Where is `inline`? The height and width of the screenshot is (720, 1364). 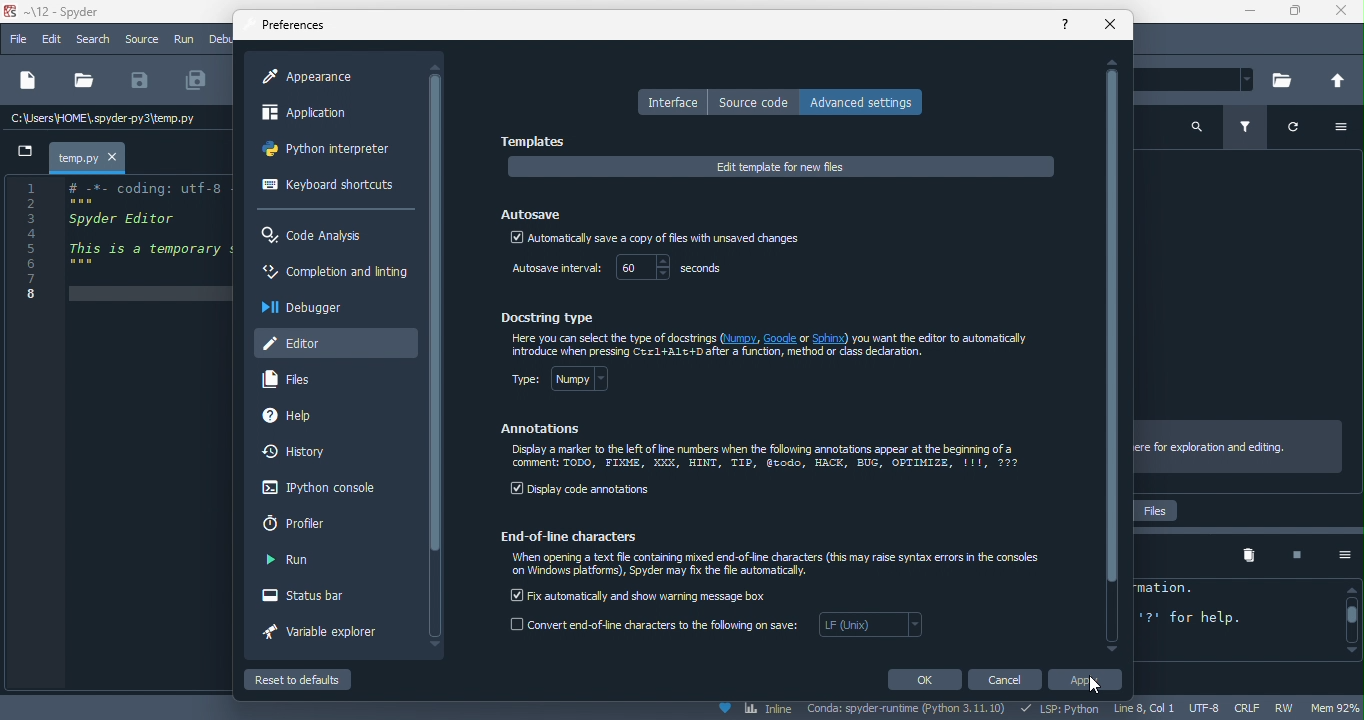
inline is located at coordinates (754, 710).